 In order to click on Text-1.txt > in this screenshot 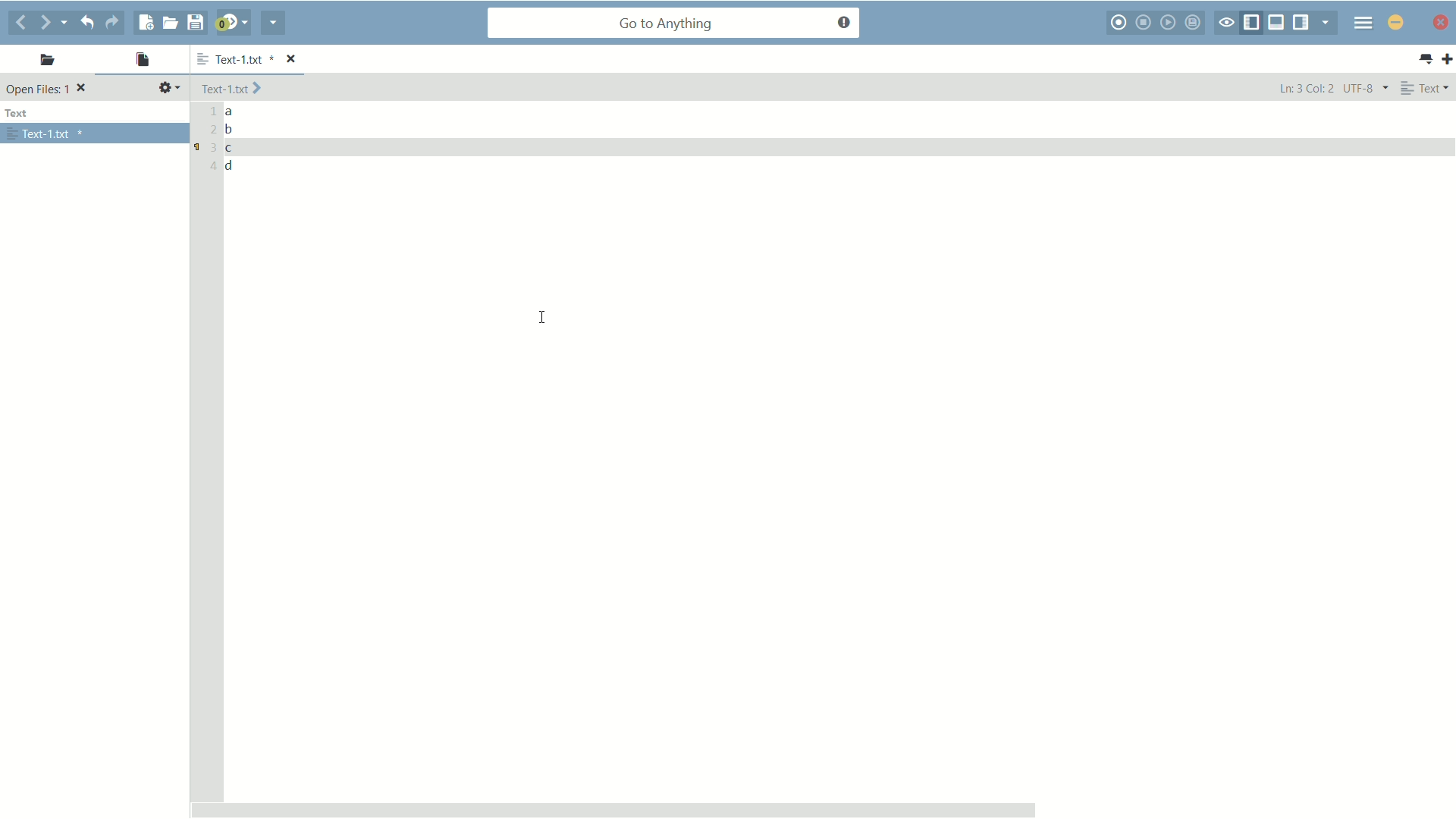, I will do `click(234, 89)`.